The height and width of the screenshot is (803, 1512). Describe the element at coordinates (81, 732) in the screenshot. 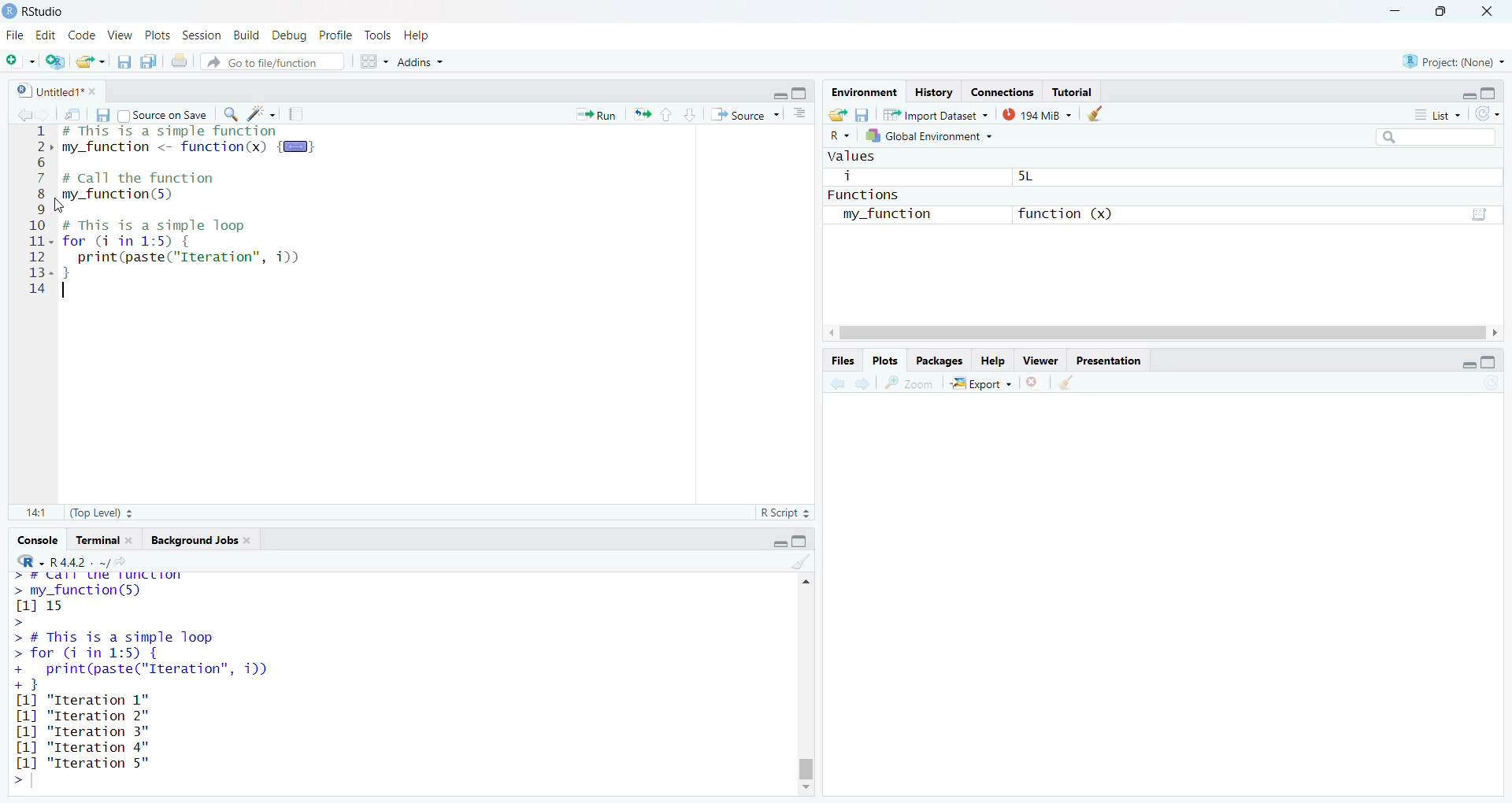

I see `[1] "Iteration 3"` at that location.